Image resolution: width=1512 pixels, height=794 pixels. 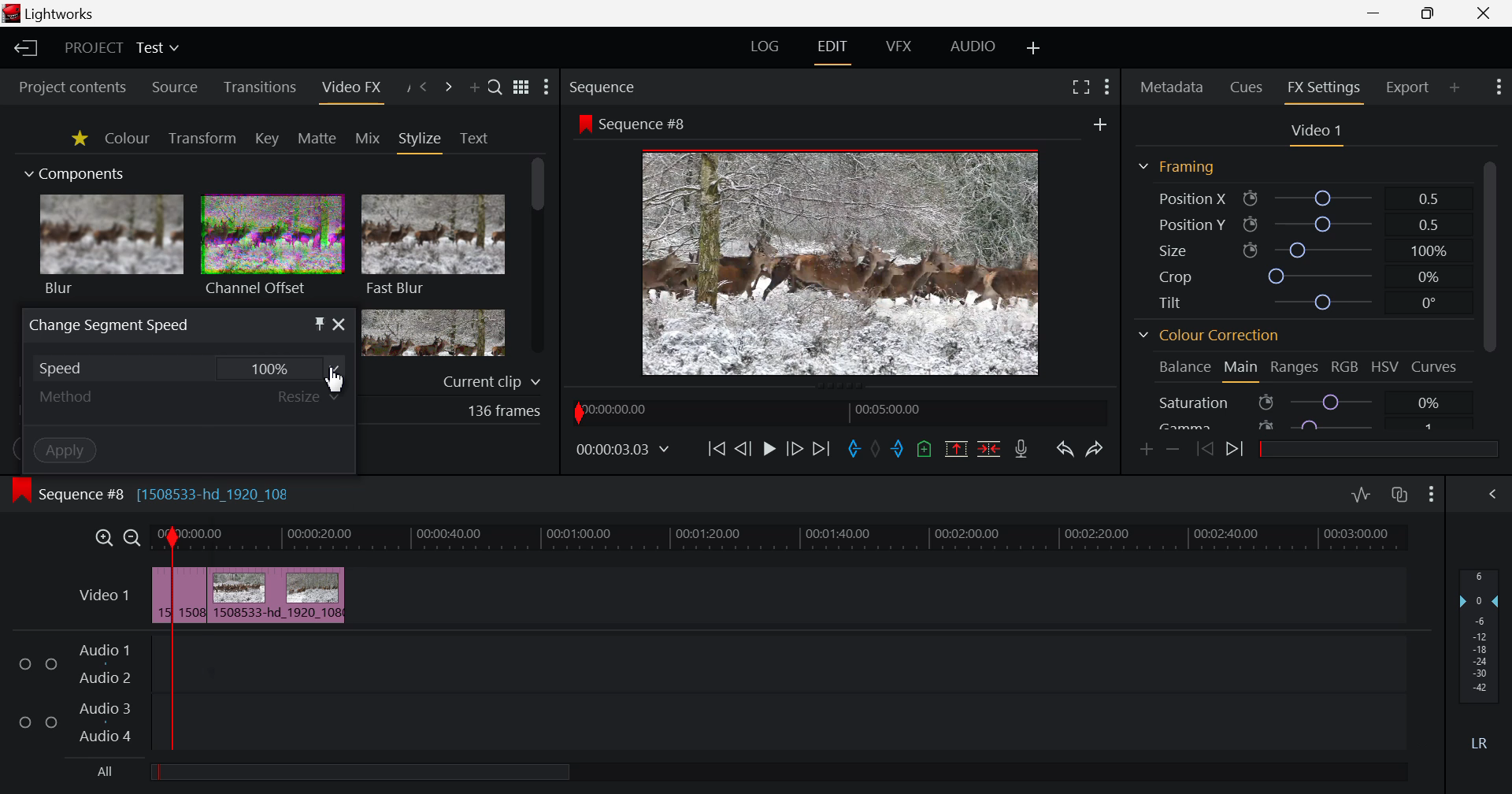 I want to click on Source, so click(x=176, y=87).